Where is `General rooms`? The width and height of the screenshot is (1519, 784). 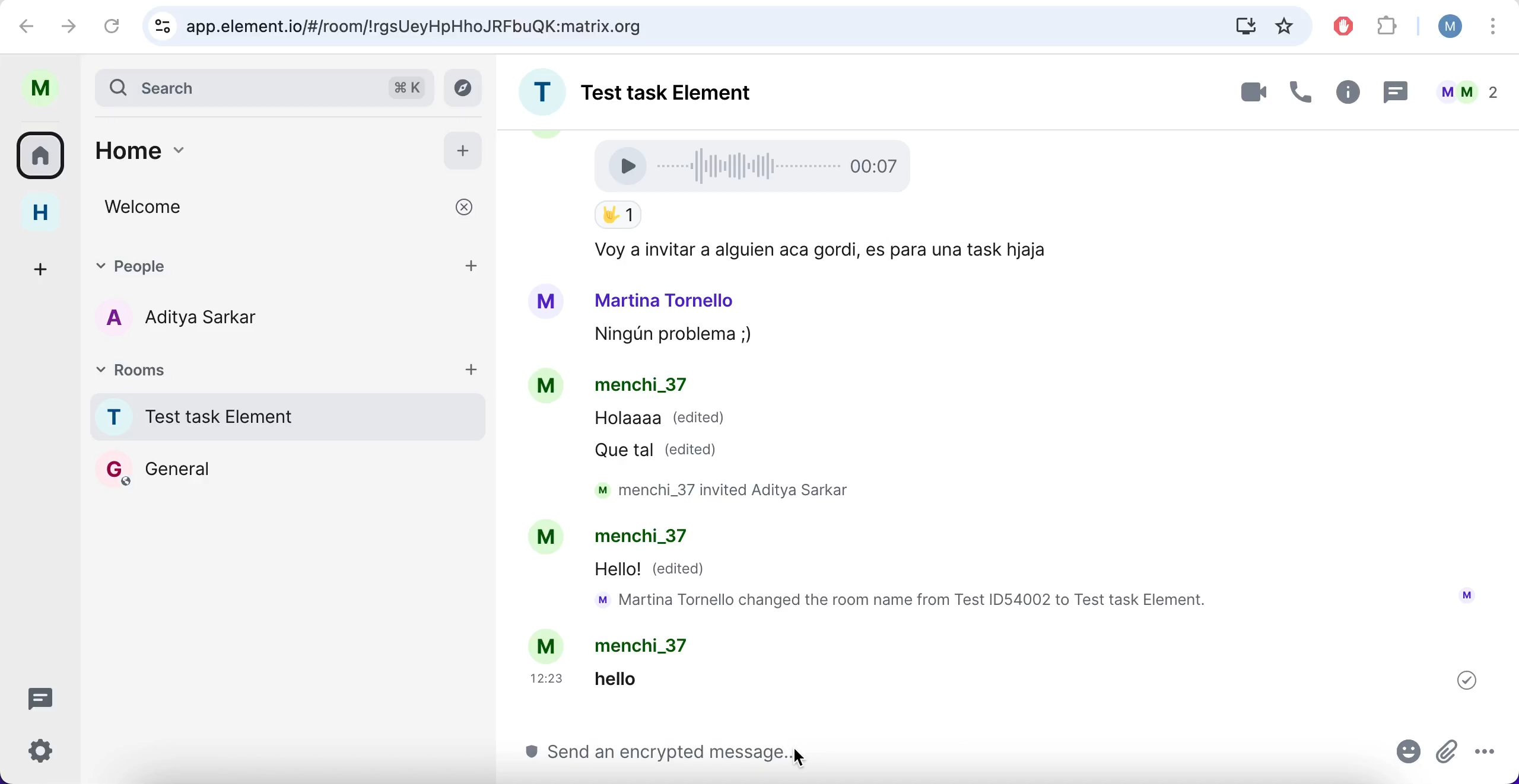
General rooms is located at coordinates (288, 469).